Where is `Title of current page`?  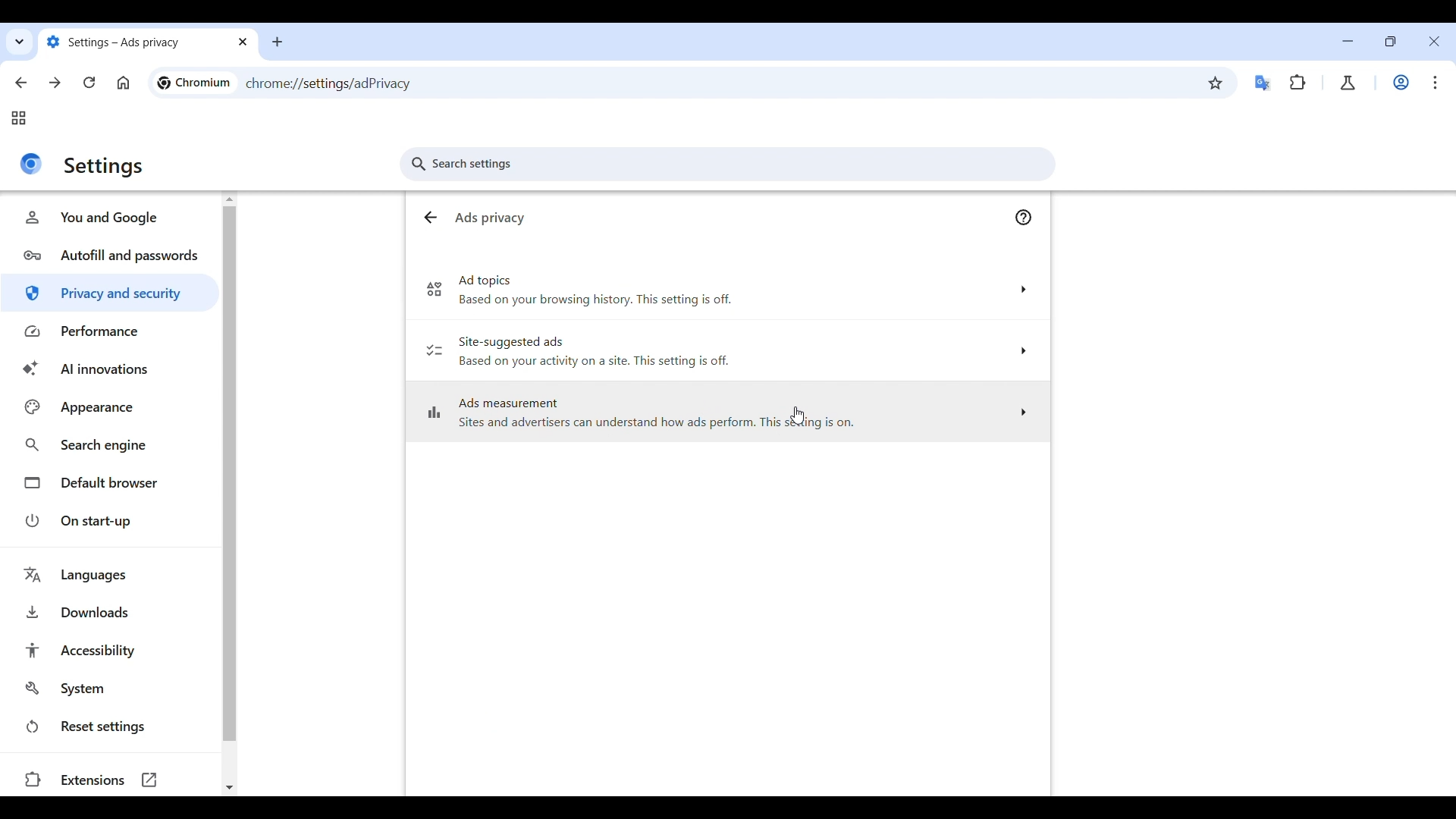
Title of current page is located at coordinates (103, 168).